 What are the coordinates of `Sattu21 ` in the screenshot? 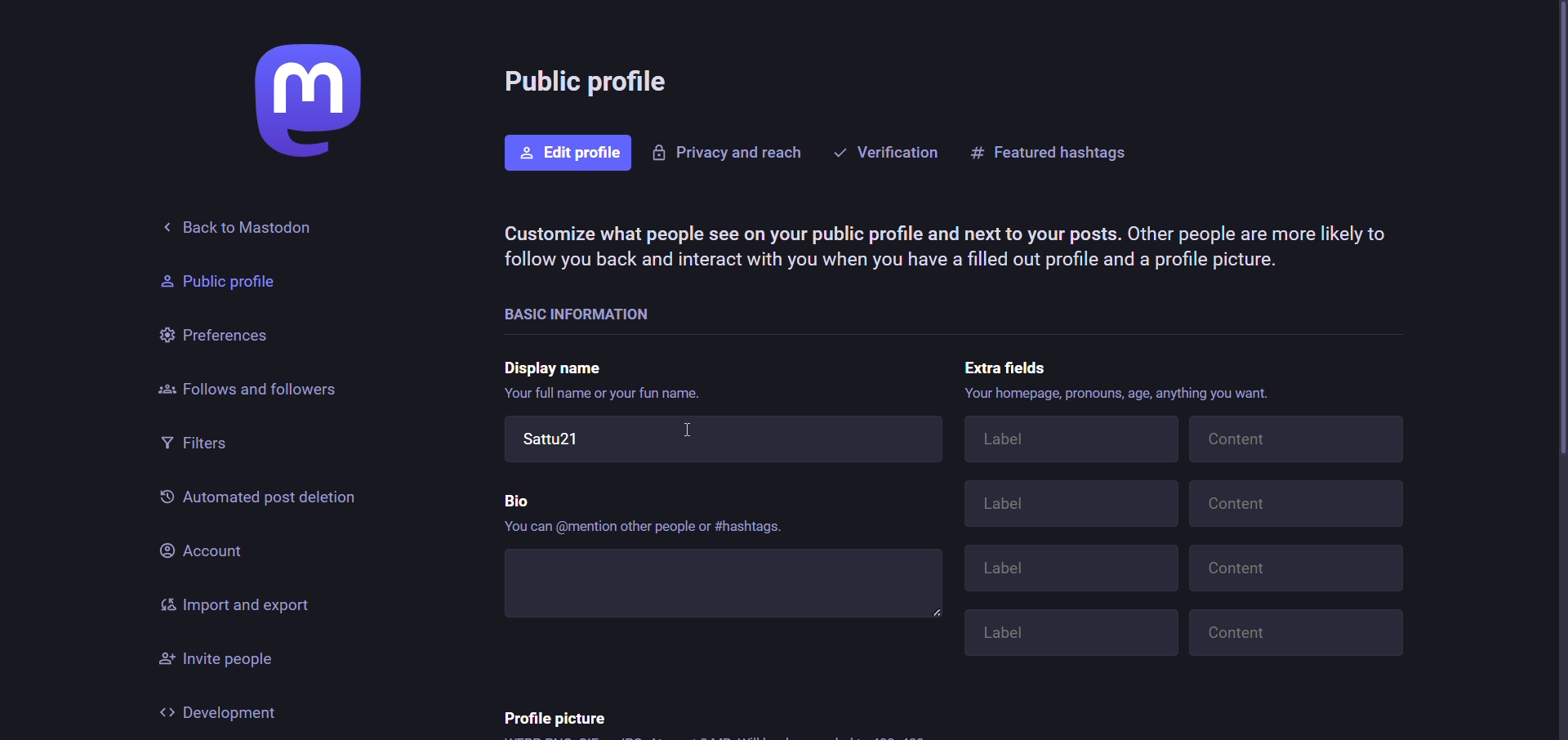 It's located at (717, 438).